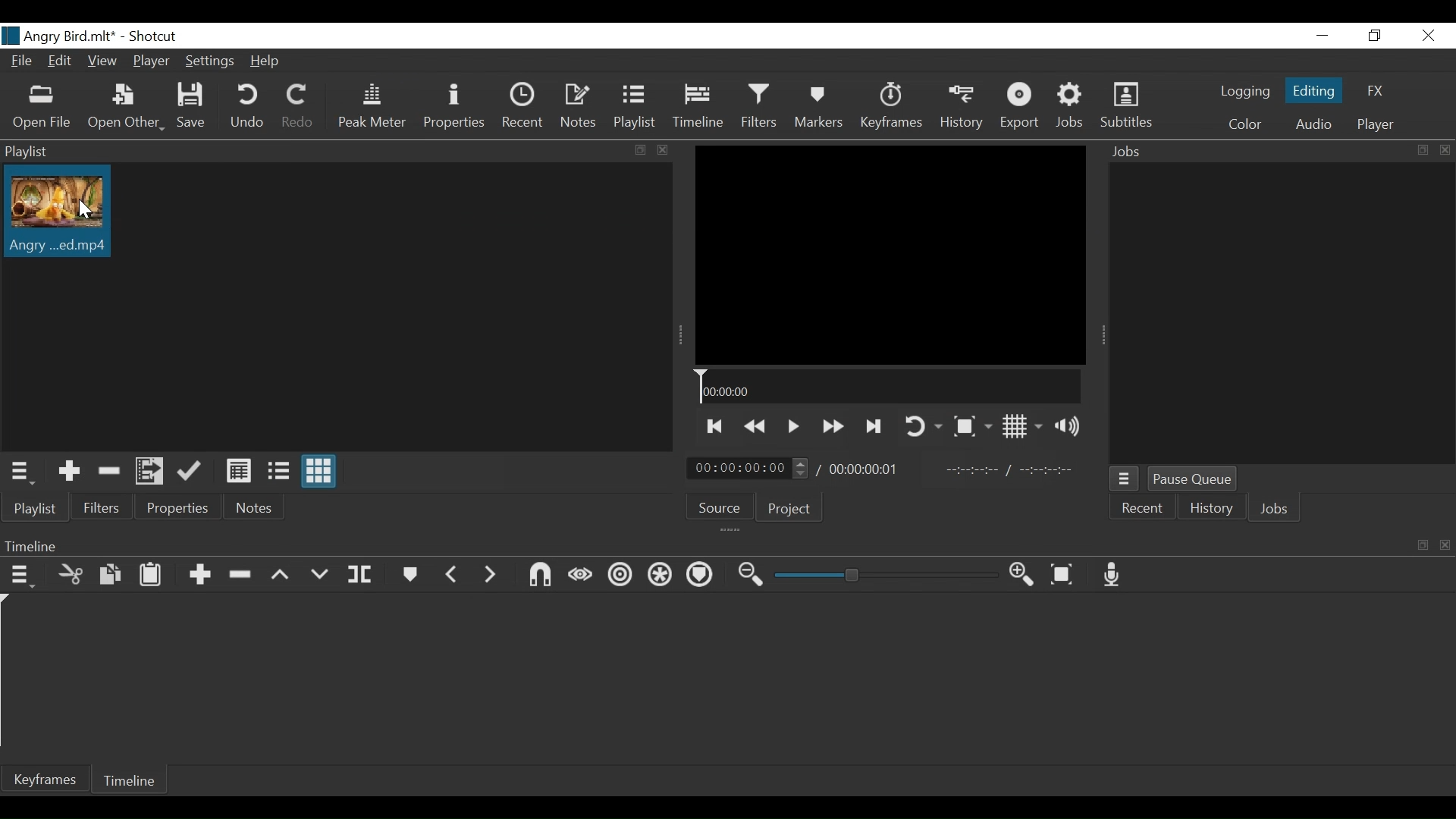 The width and height of the screenshot is (1456, 819). Describe the element at coordinates (1373, 36) in the screenshot. I see `Restore` at that location.